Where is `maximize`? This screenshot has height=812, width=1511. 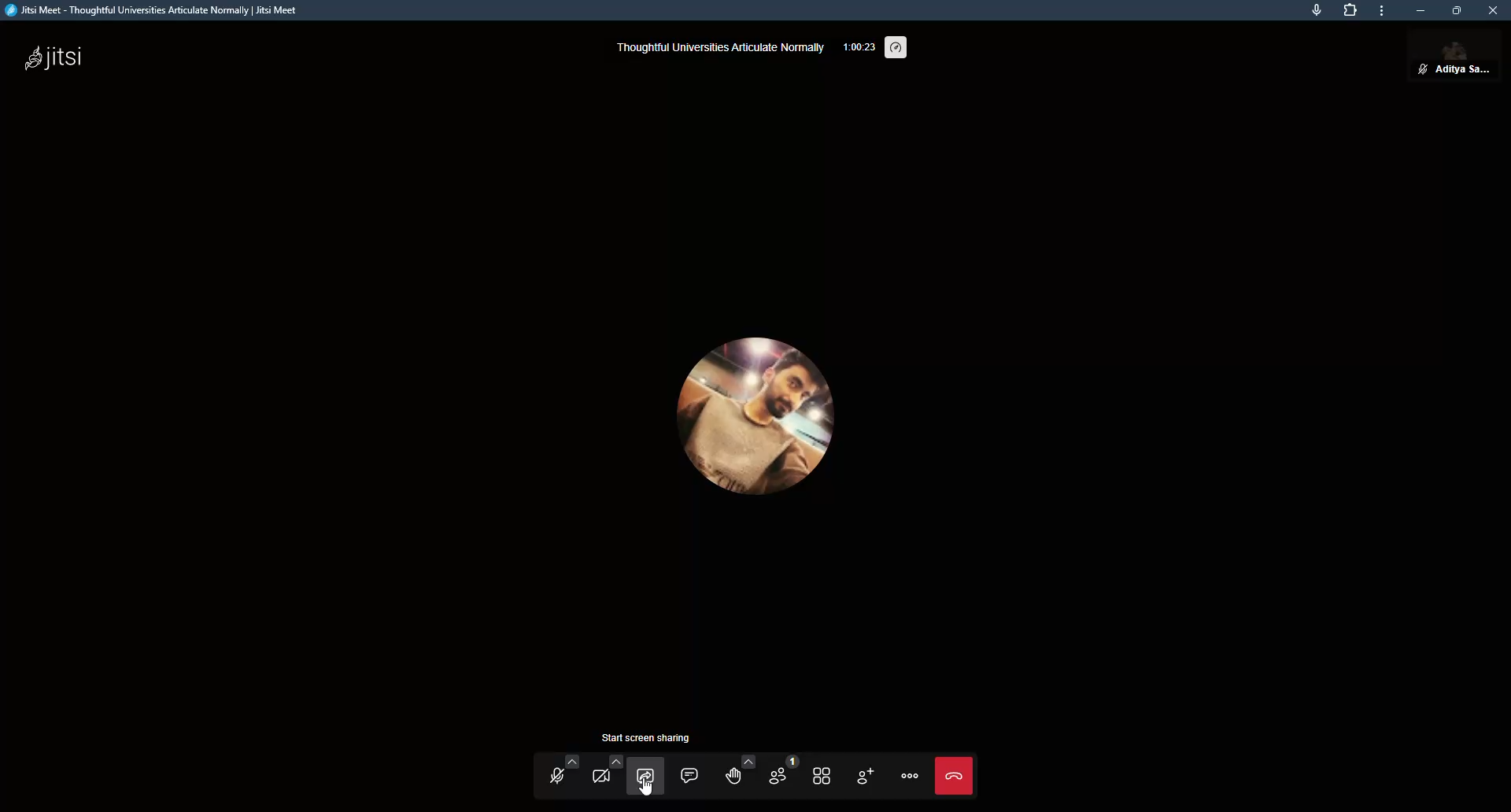 maximize is located at coordinates (1454, 13).